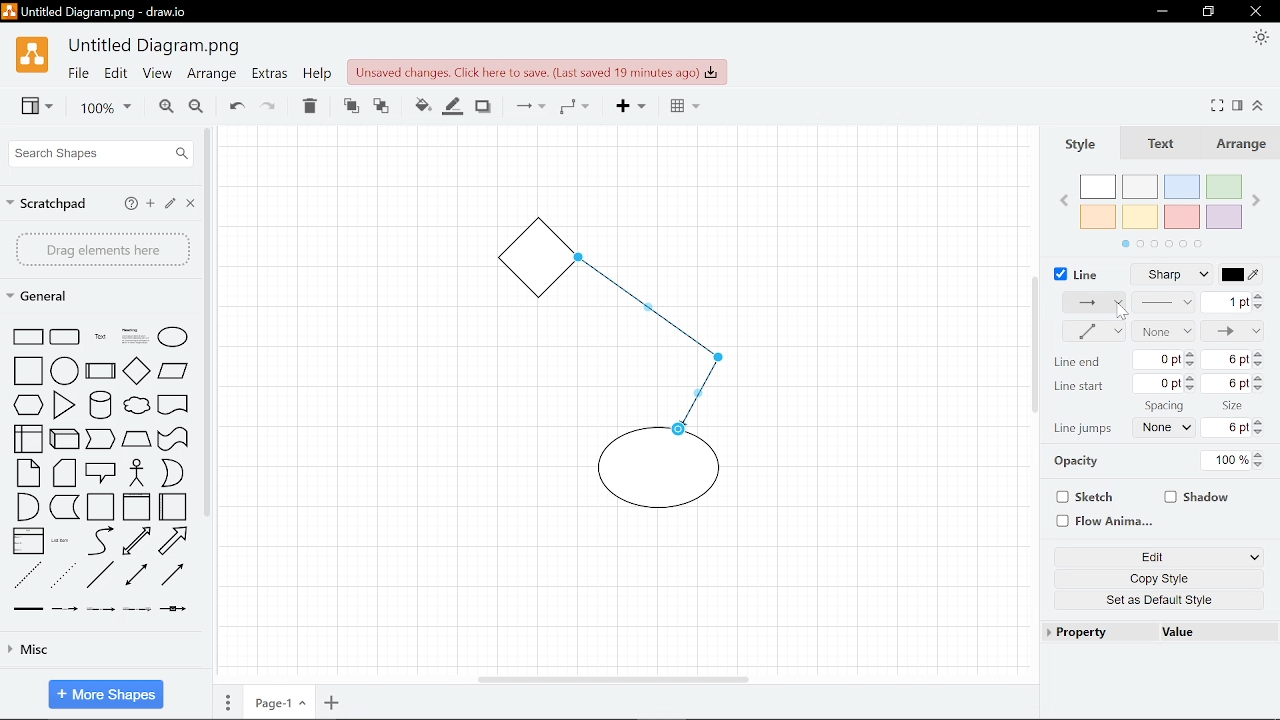 This screenshot has height=720, width=1280. What do you see at coordinates (627, 108) in the screenshot?
I see `Add` at bounding box center [627, 108].